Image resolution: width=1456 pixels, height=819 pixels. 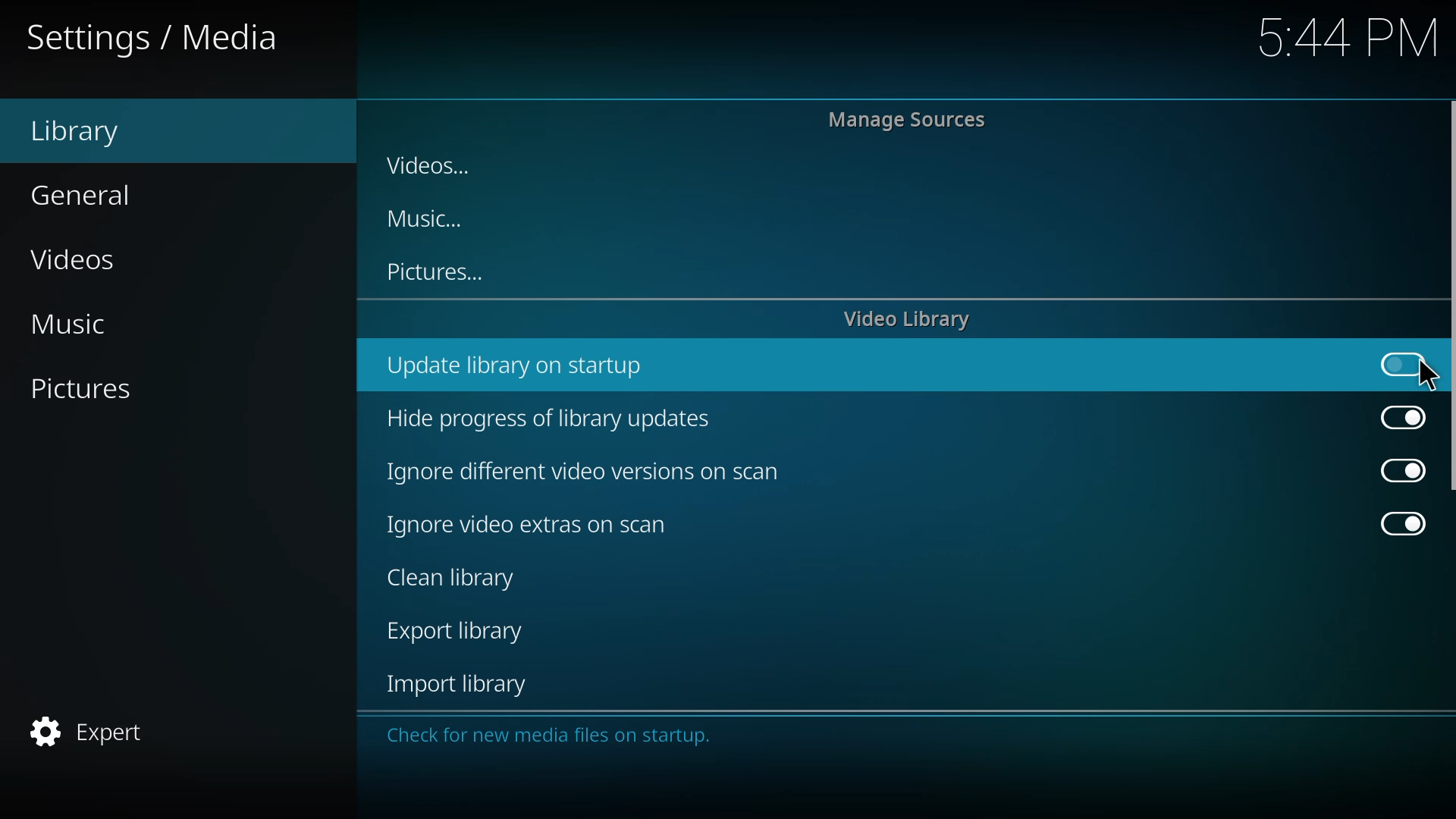 What do you see at coordinates (593, 470) in the screenshot?
I see `ignore different video versions on scan` at bounding box center [593, 470].